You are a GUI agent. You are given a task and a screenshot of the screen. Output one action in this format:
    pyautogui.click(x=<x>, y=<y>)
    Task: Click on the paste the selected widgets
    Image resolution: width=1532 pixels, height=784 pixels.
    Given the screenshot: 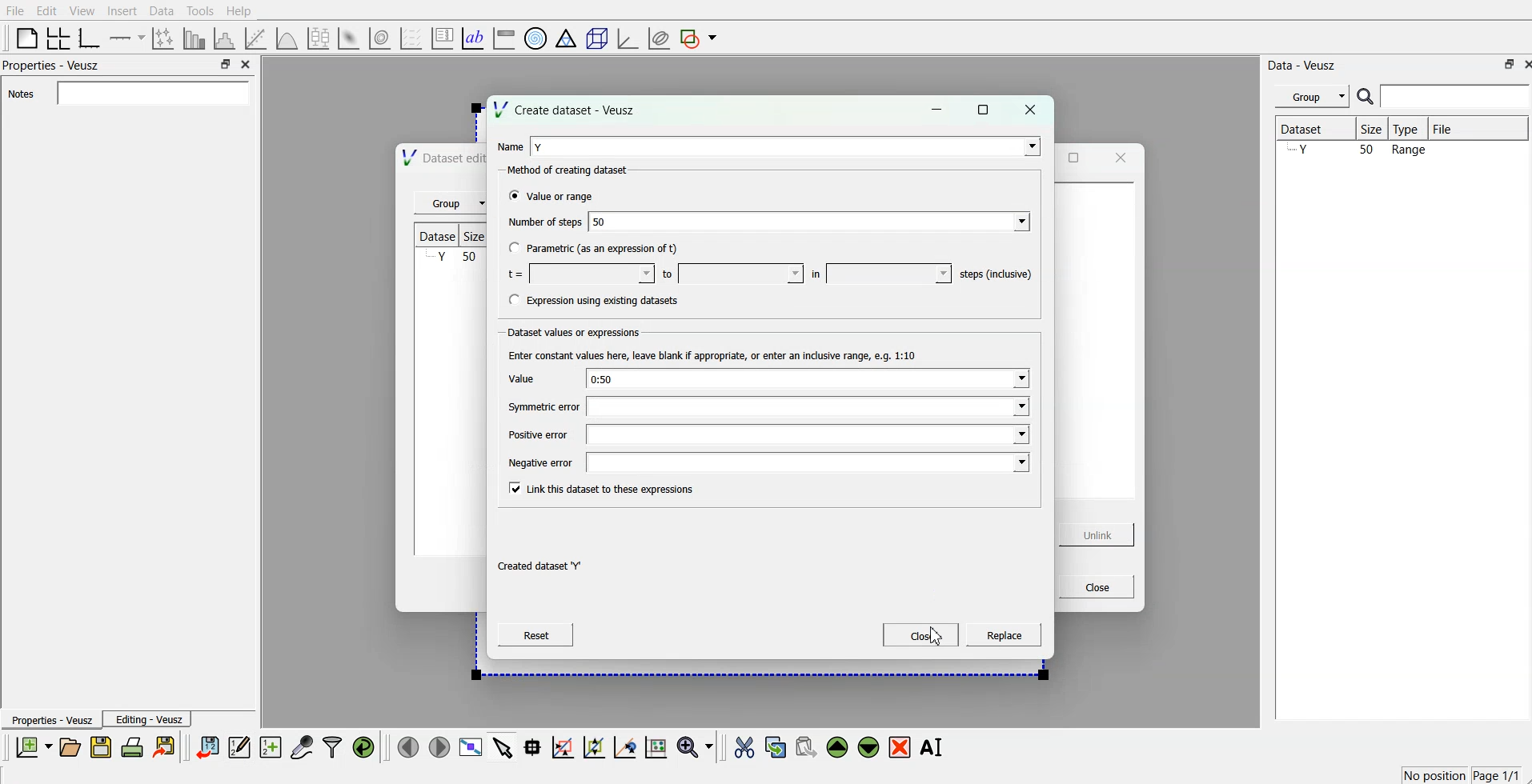 What is the action you would take?
    pyautogui.click(x=806, y=748)
    